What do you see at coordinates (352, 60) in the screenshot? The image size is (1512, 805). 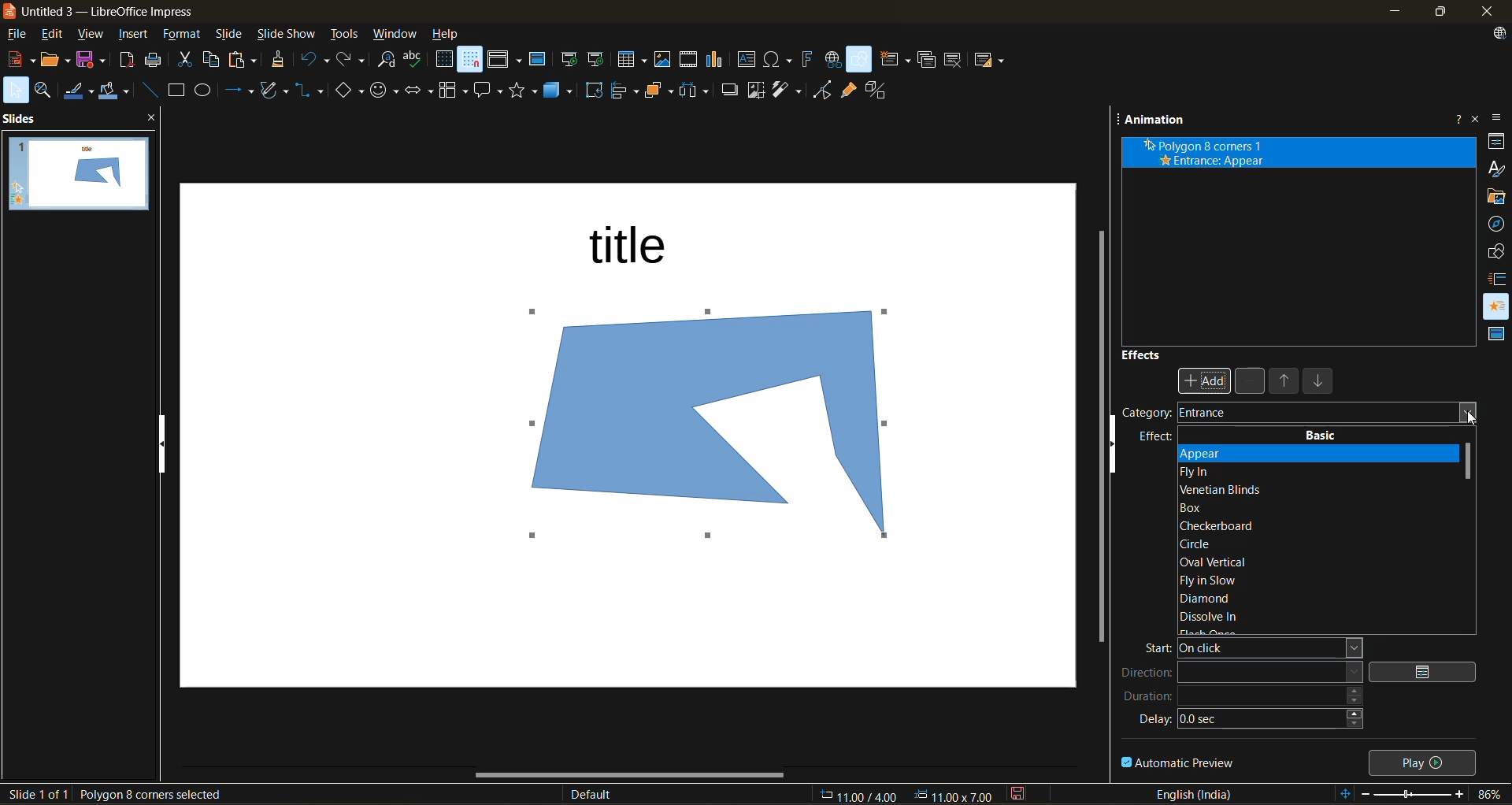 I see `redo` at bounding box center [352, 60].